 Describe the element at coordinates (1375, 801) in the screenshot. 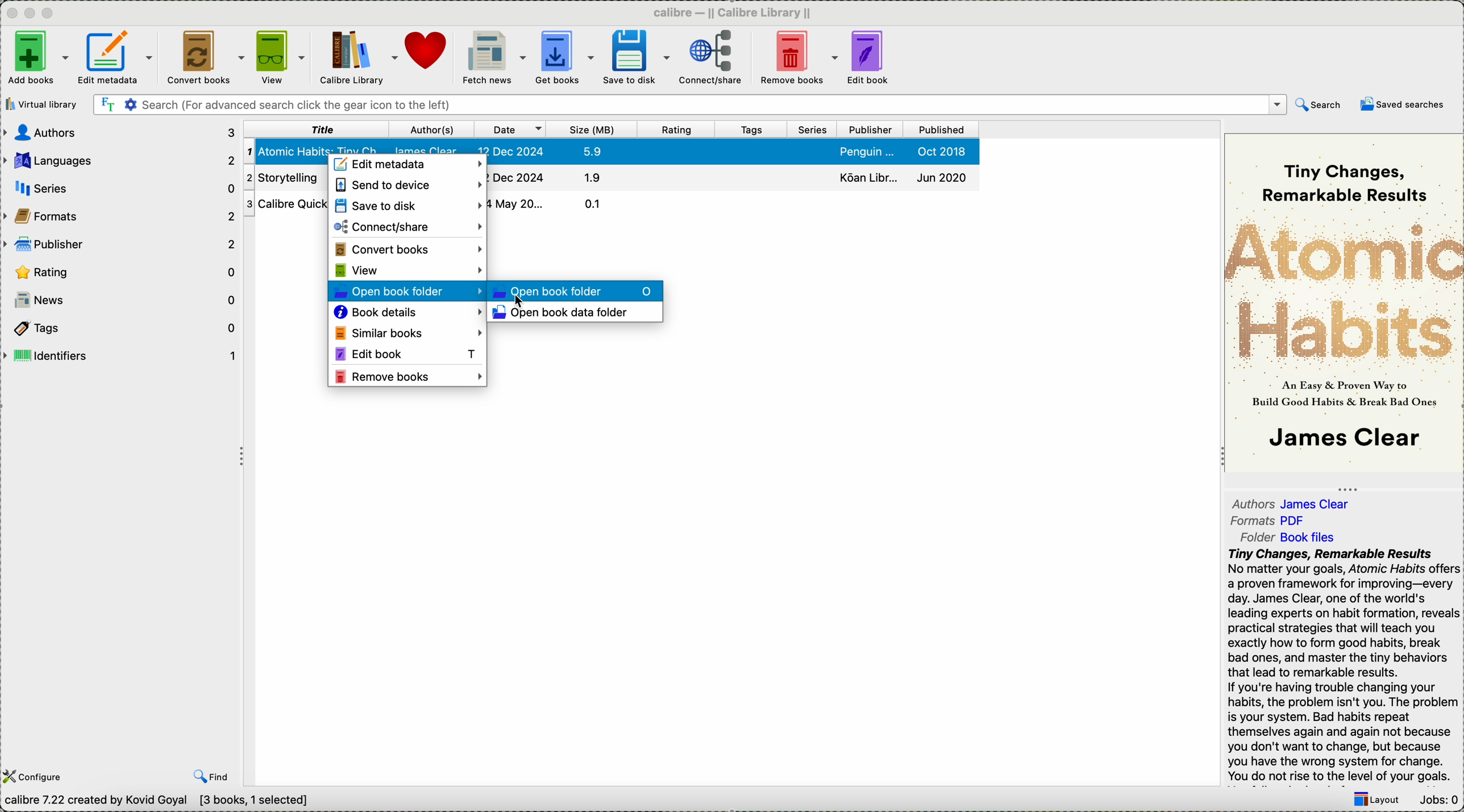

I see `layout` at that location.